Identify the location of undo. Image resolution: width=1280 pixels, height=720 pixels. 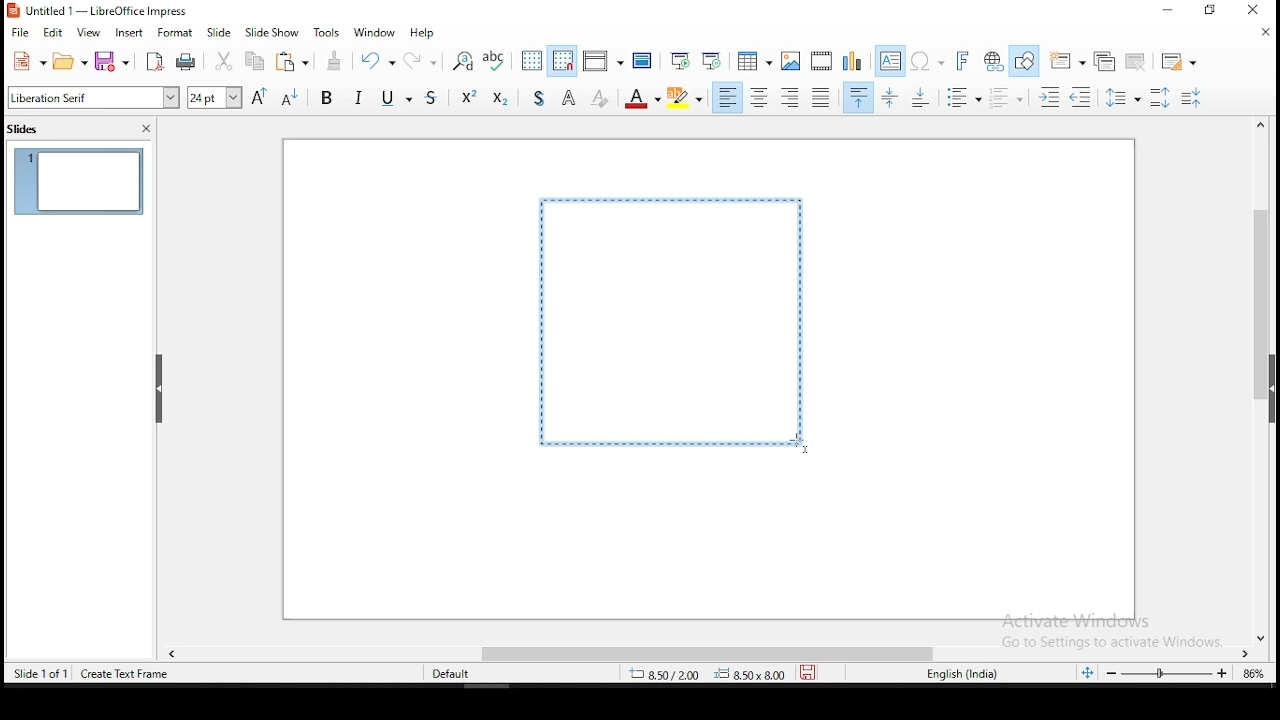
(376, 60).